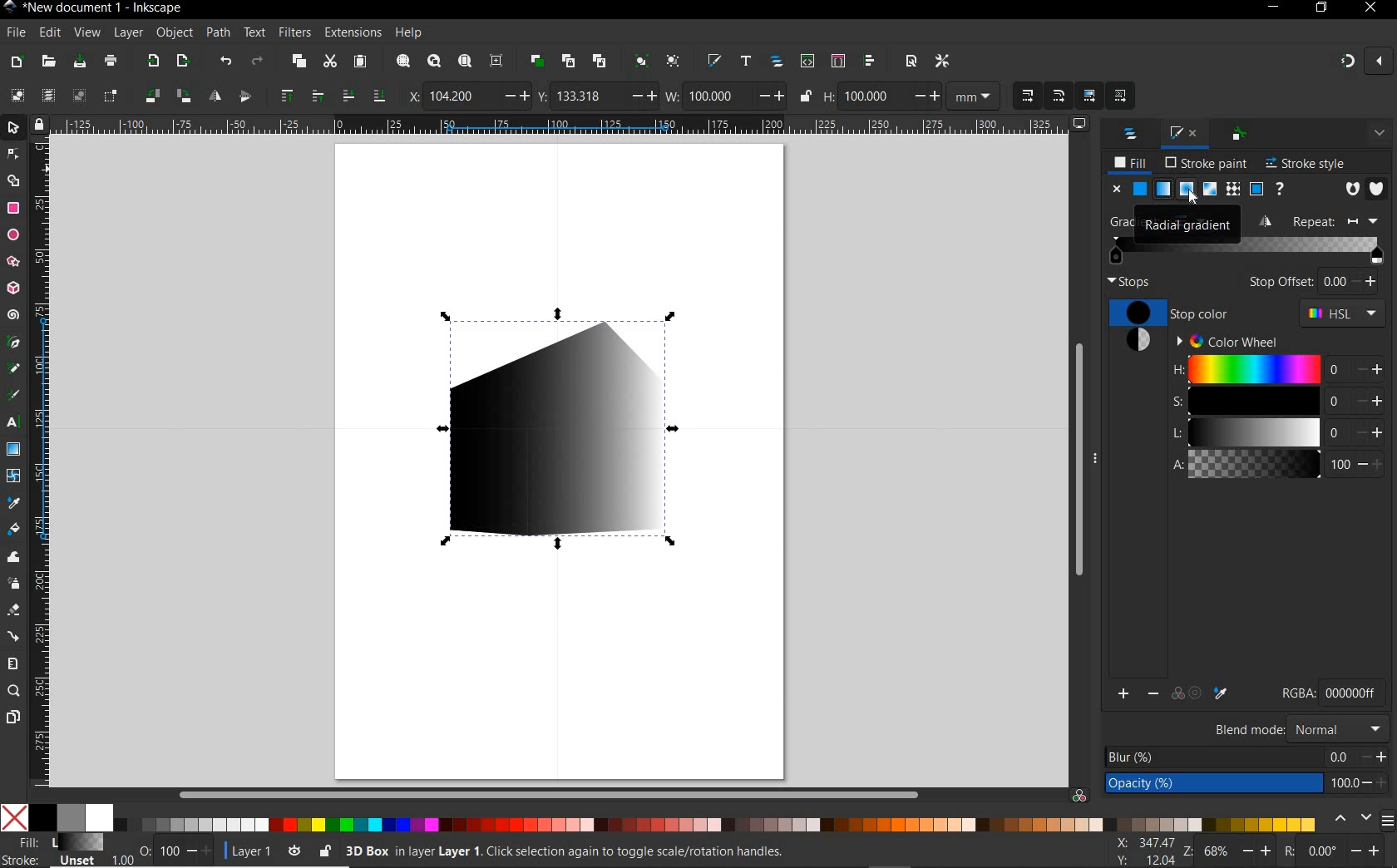 This screenshot has width=1397, height=868. What do you see at coordinates (79, 61) in the screenshot?
I see `SAVE` at bounding box center [79, 61].